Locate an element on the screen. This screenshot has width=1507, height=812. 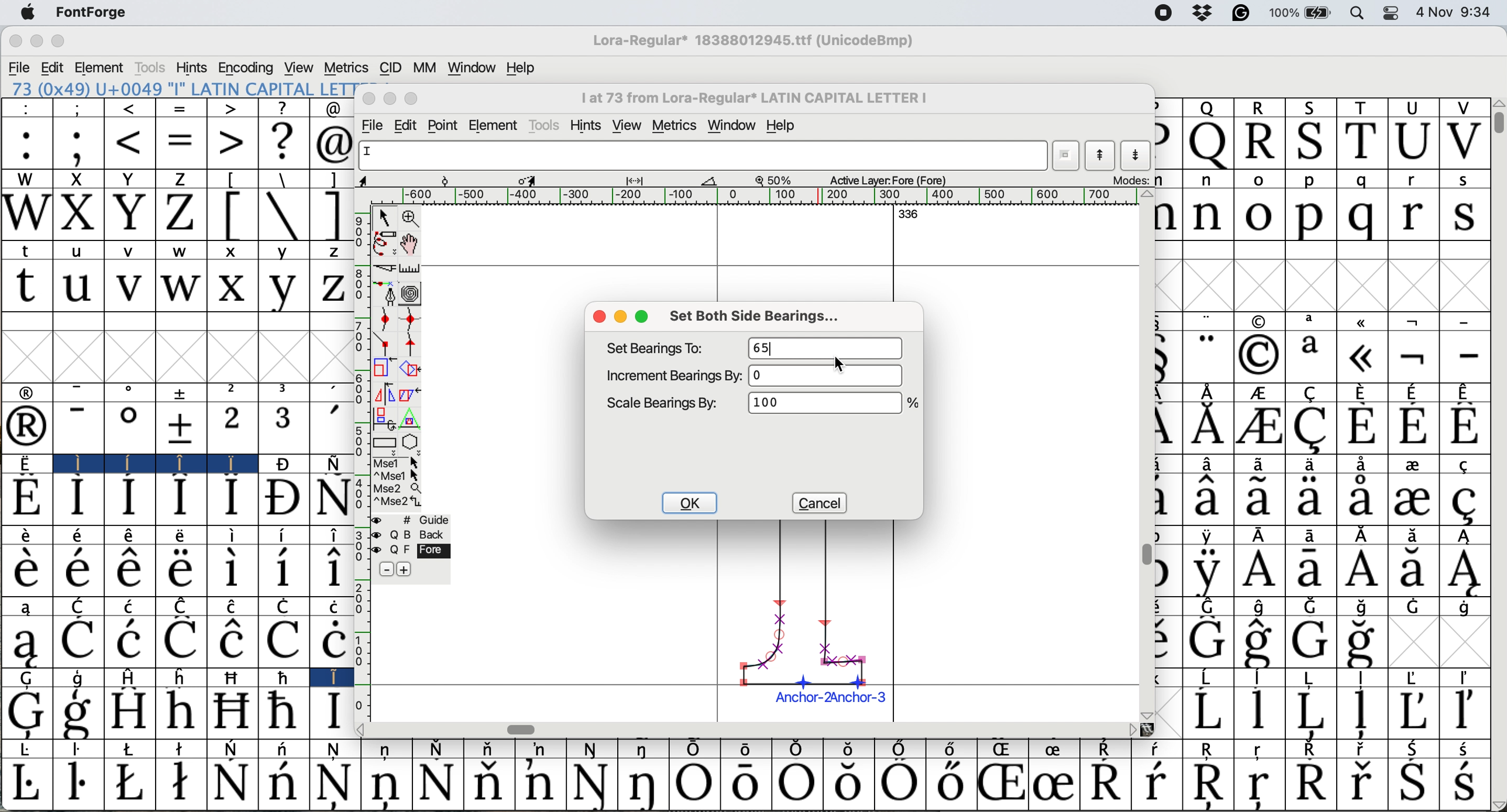
Symbol is located at coordinates (131, 536).